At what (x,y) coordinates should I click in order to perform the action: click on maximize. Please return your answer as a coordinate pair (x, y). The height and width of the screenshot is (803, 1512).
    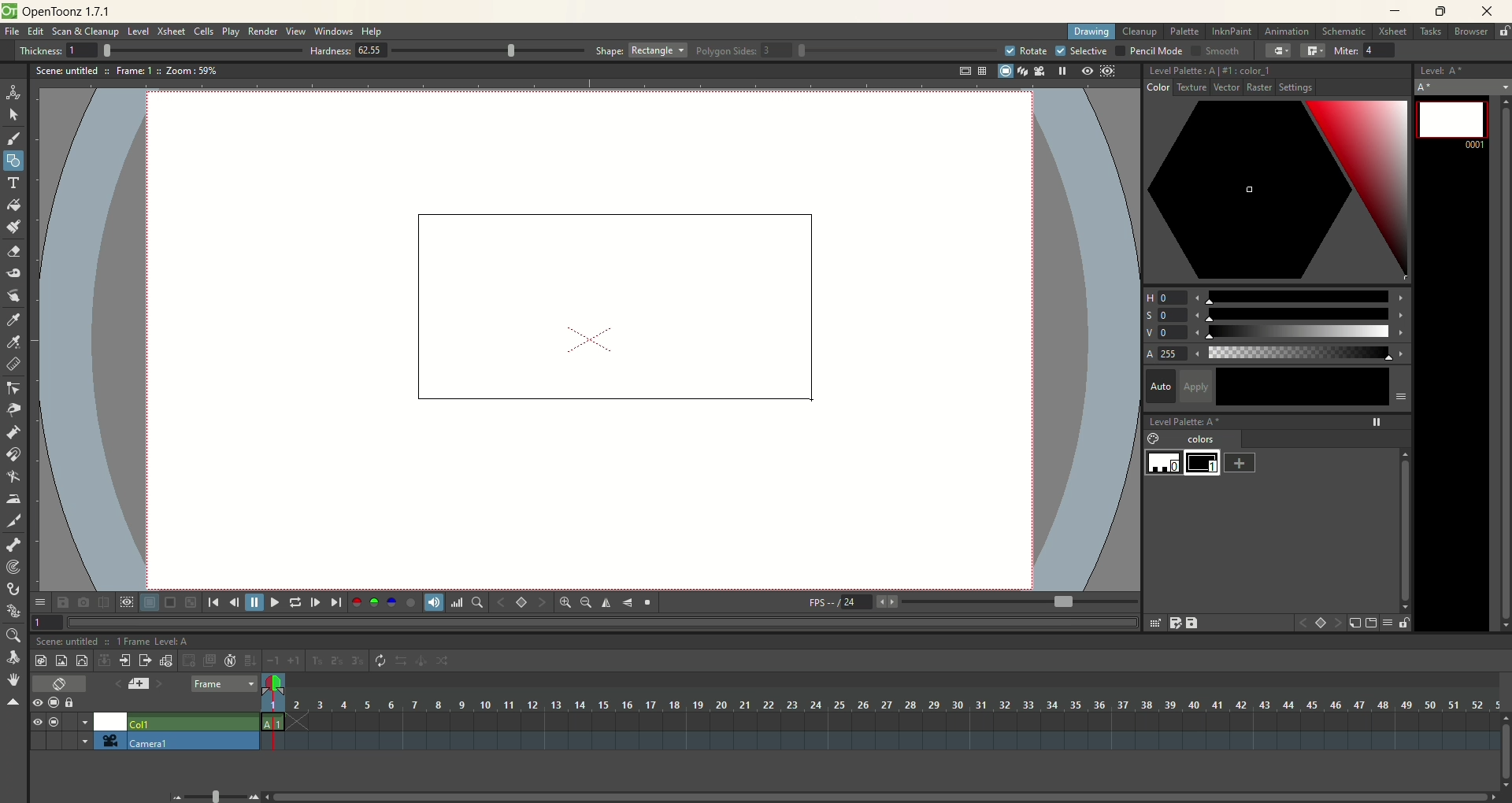
    Looking at the image, I should click on (1441, 13).